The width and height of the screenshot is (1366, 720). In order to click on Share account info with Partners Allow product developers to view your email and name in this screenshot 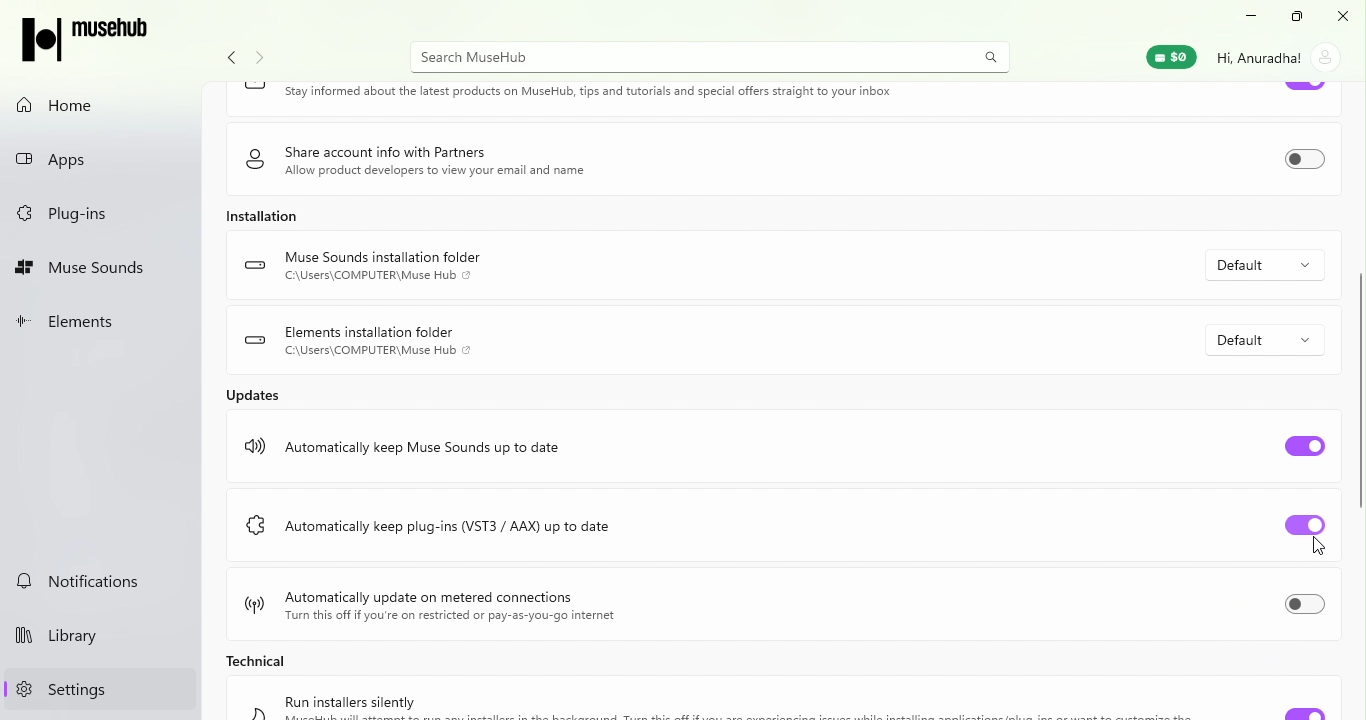, I will do `click(441, 163)`.